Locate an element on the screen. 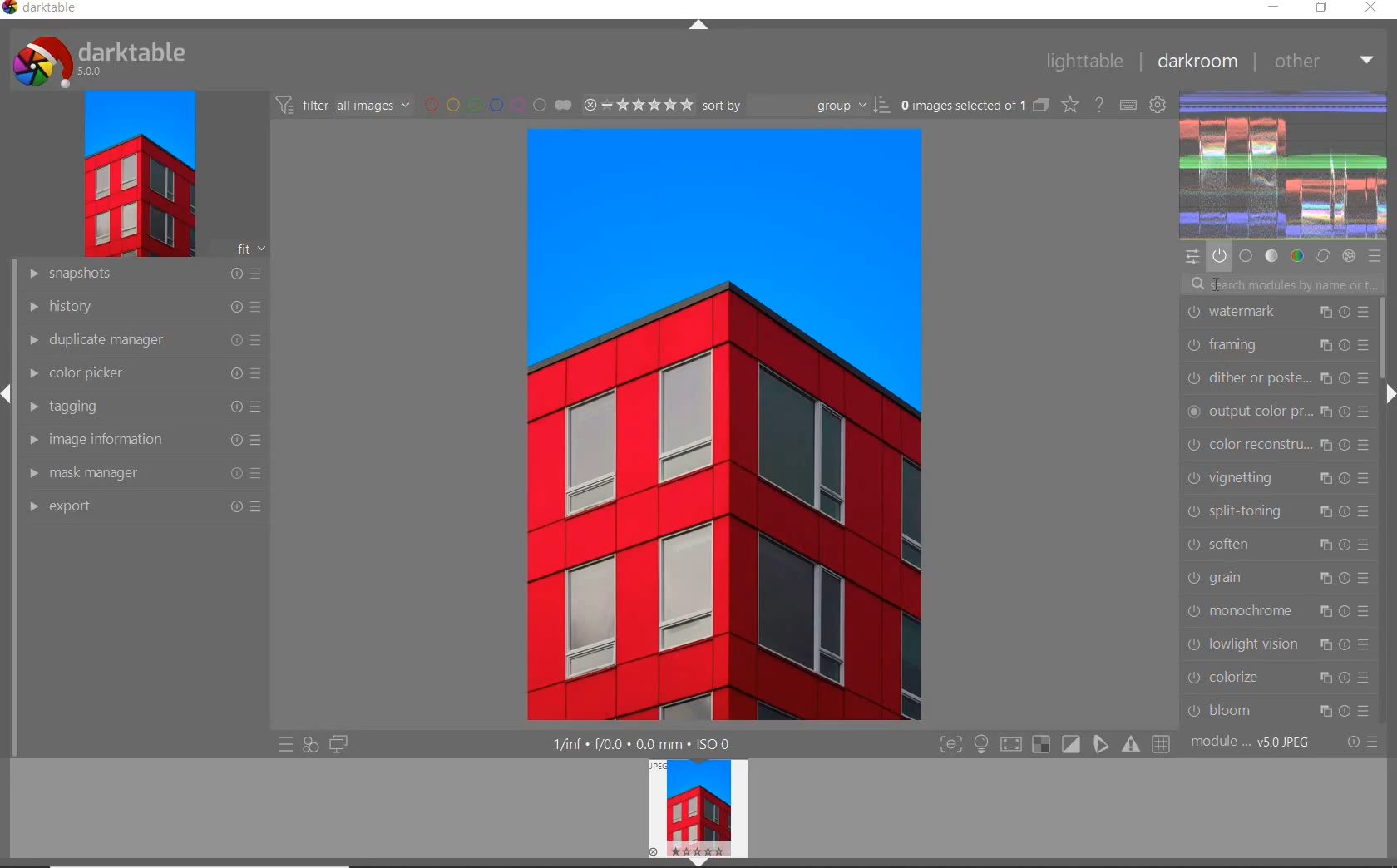 Image resolution: width=1397 pixels, height=868 pixels. module order is located at coordinates (1255, 743).